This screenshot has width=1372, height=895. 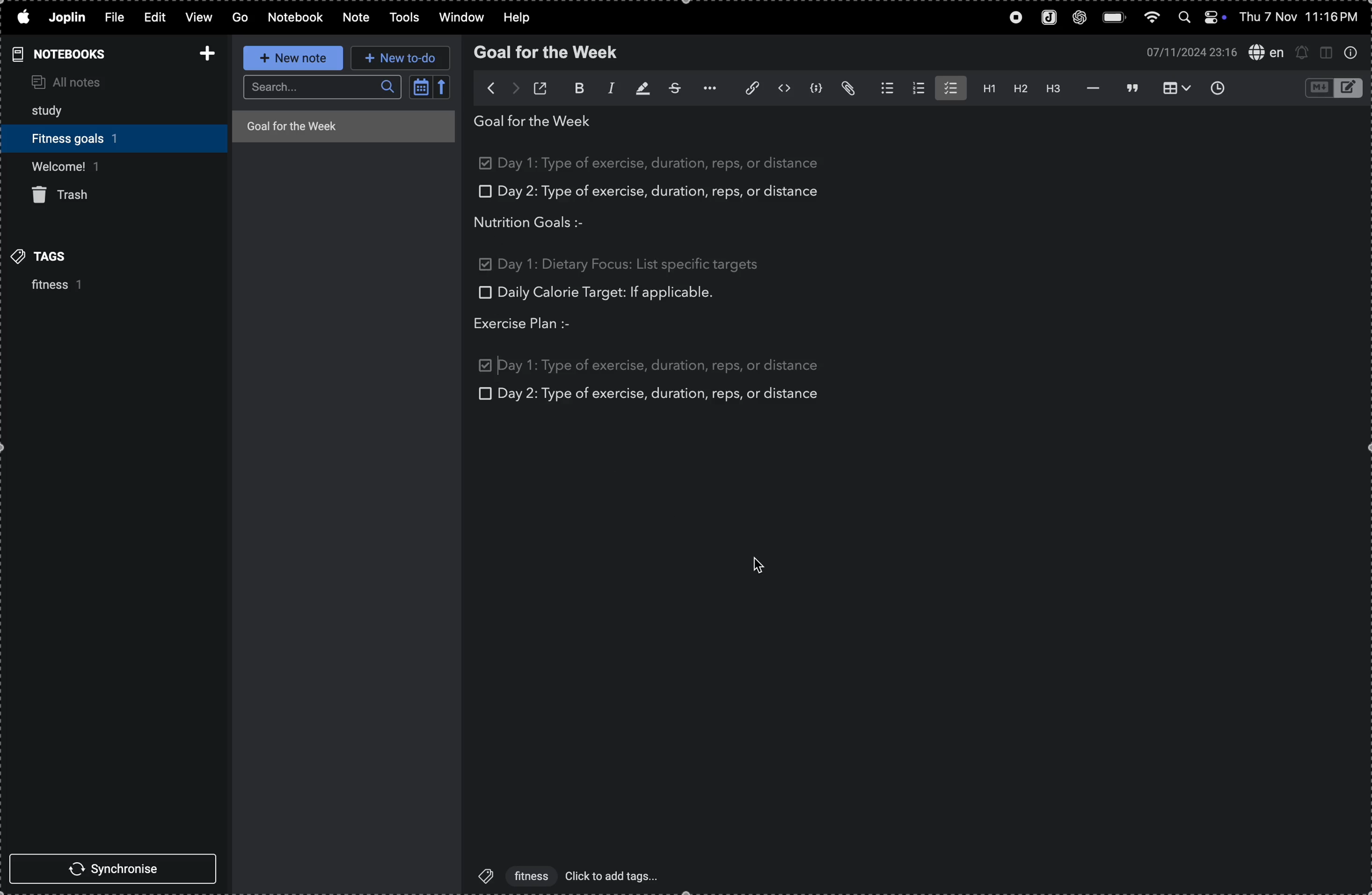 I want to click on inline, so click(x=782, y=89).